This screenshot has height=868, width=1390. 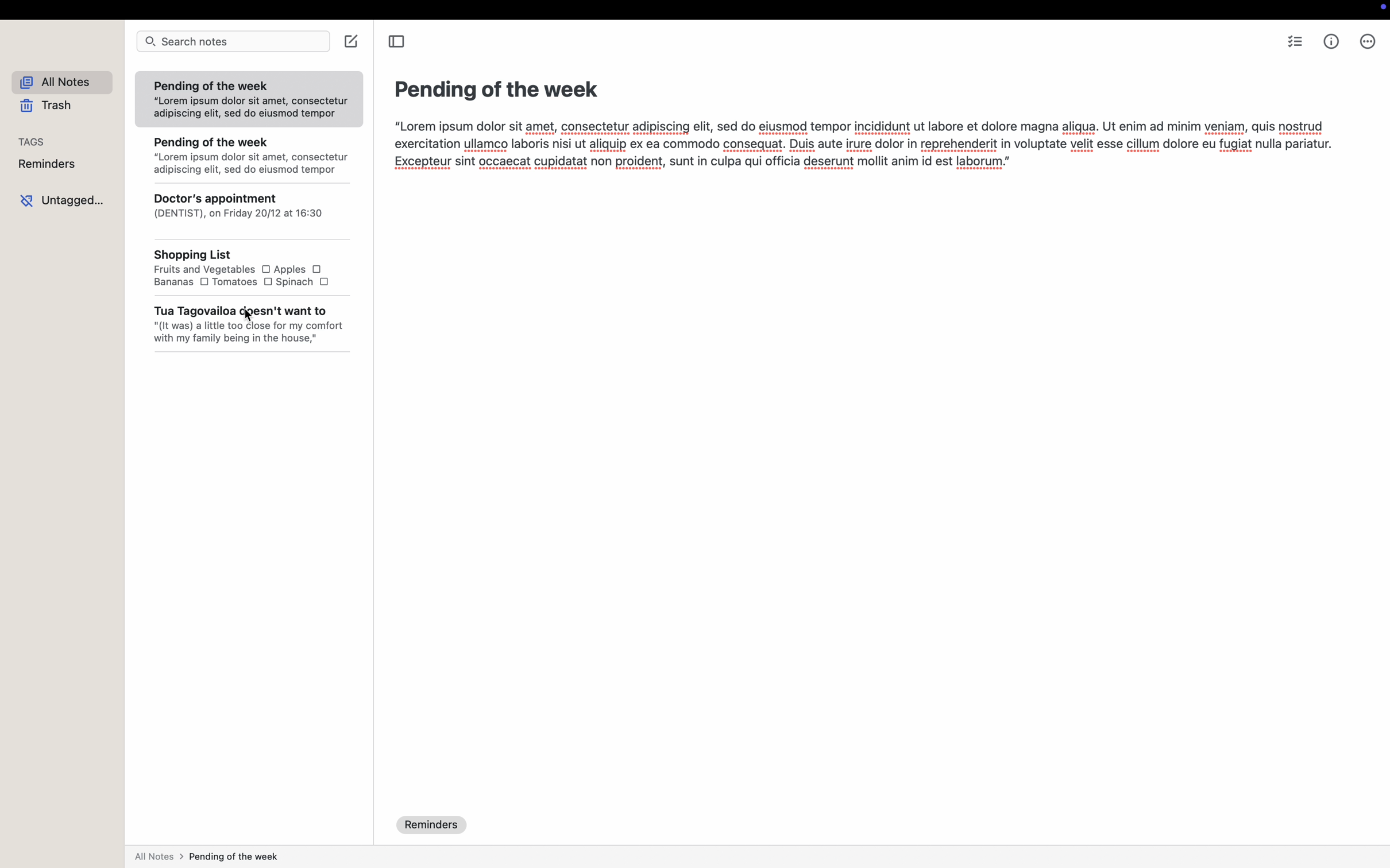 What do you see at coordinates (59, 82) in the screenshot?
I see `all notes` at bounding box center [59, 82].